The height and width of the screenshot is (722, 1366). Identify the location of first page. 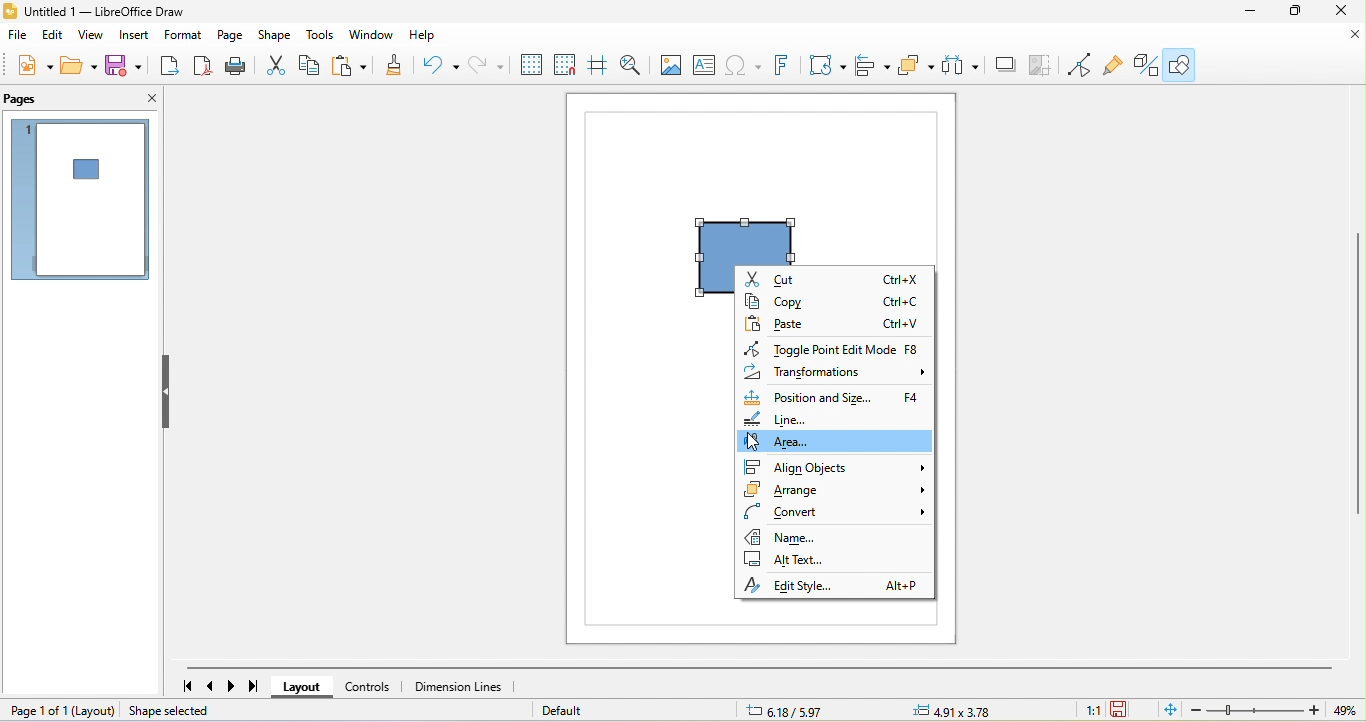
(181, 687).